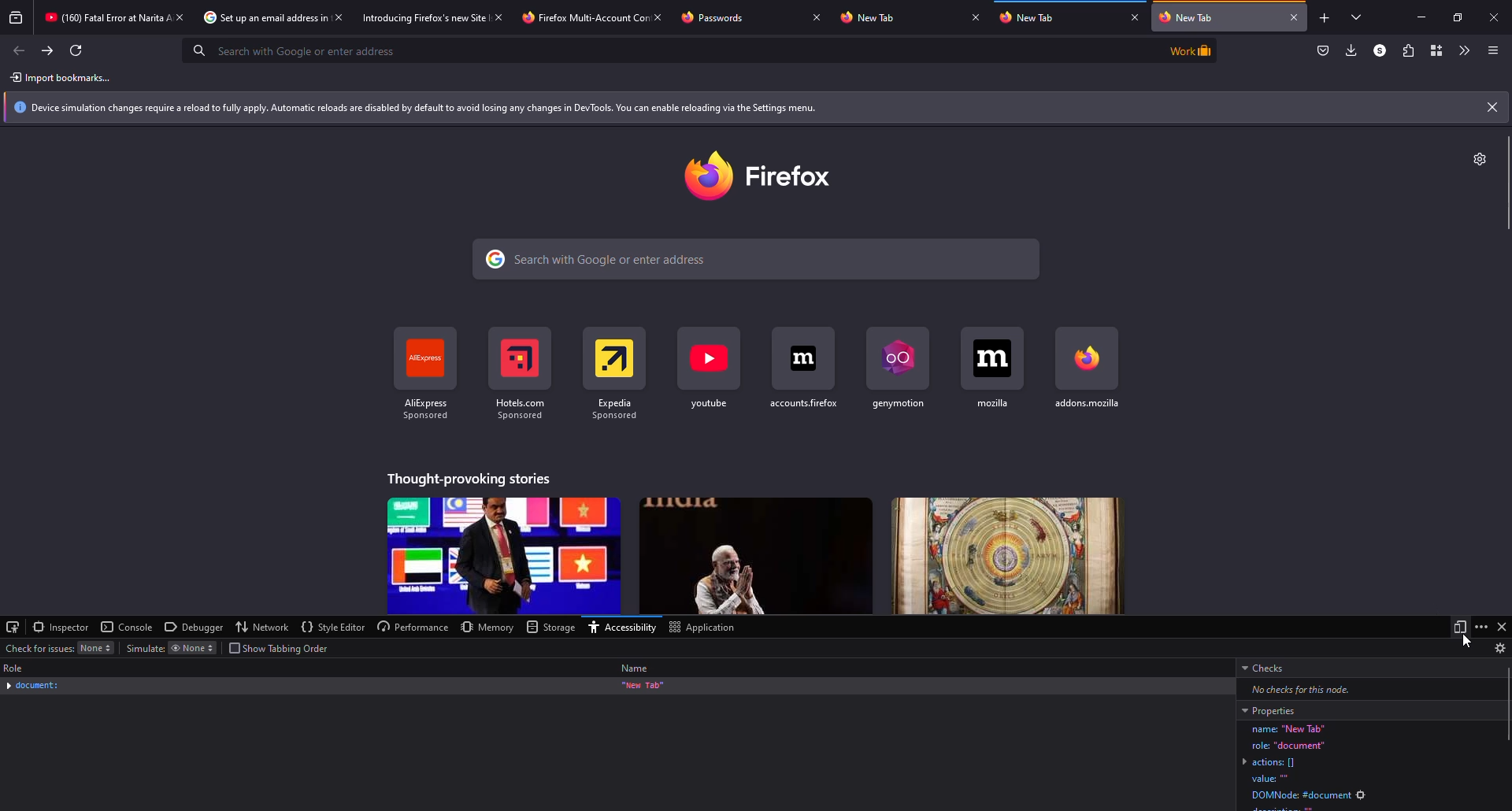 The height and width of the screenshot is (811, 1512). I want to click on role, so click(16, 668).